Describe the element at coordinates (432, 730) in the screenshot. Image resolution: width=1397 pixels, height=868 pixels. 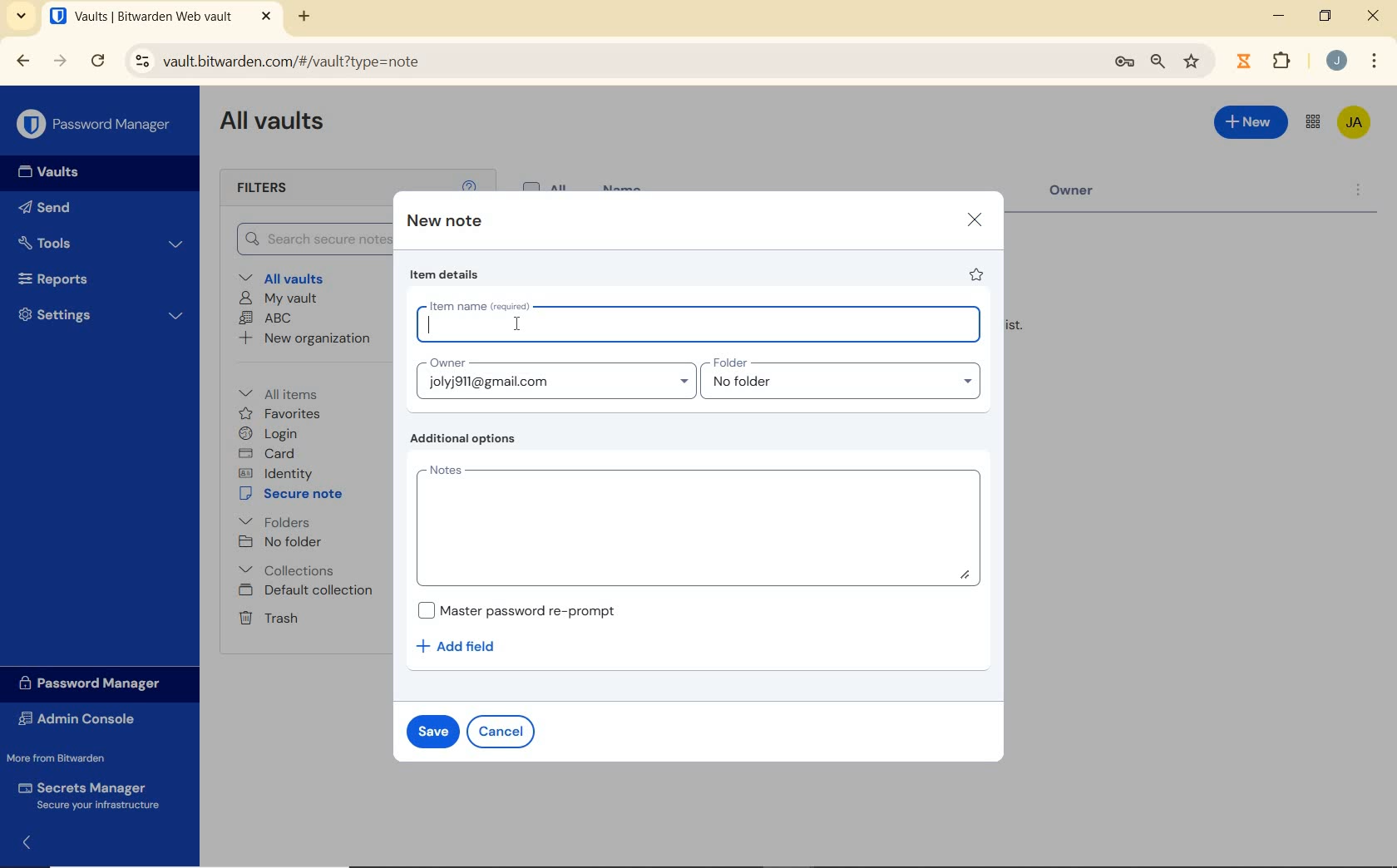
I see `save` at that location.